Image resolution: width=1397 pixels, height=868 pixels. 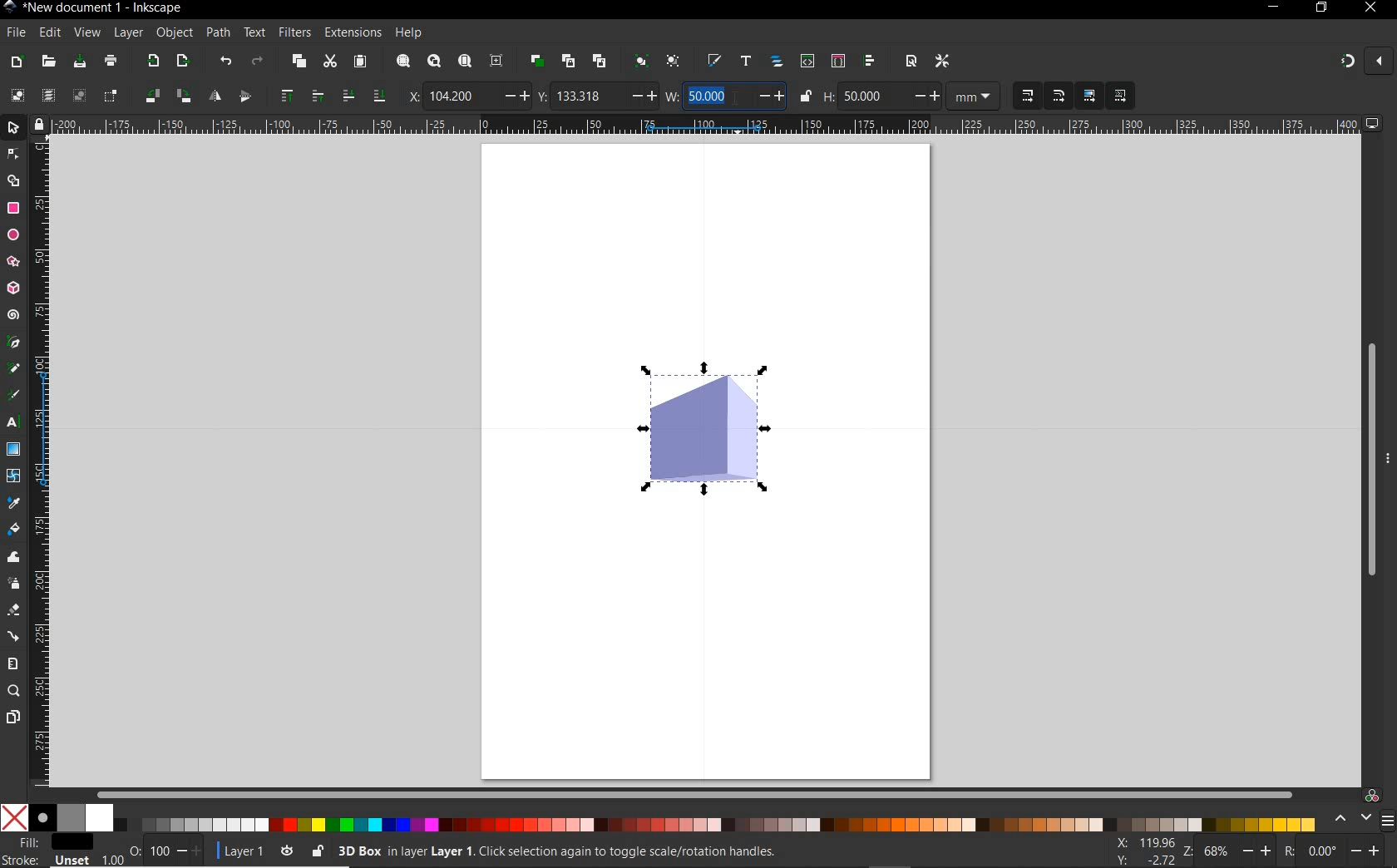 What do you see at coordinates (1352, 819) in the screenshot?
I see `scroll color options` at bounding box center [1352, 819].